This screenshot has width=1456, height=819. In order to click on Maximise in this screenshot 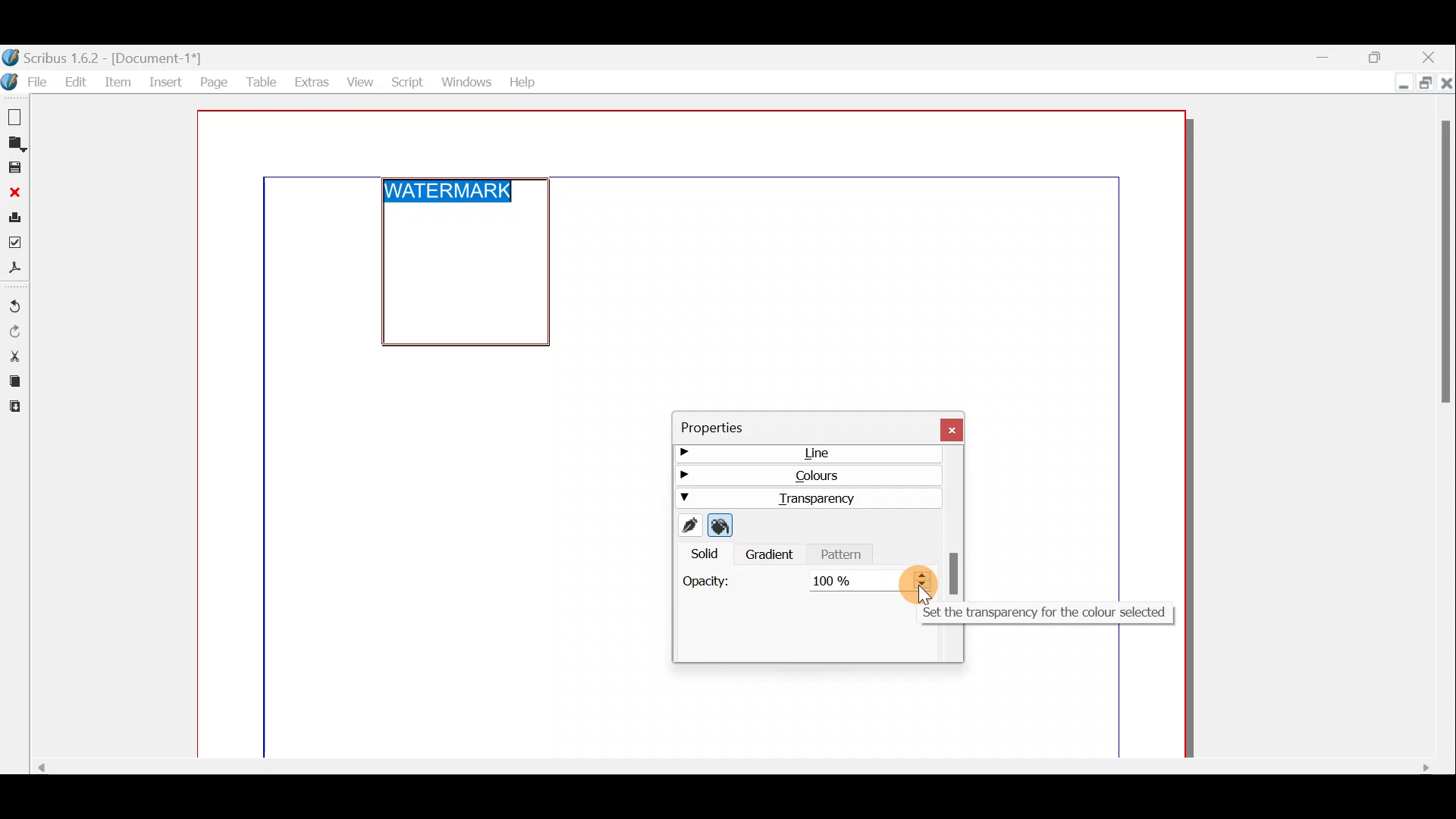, I will do `click(1423, 81)`.